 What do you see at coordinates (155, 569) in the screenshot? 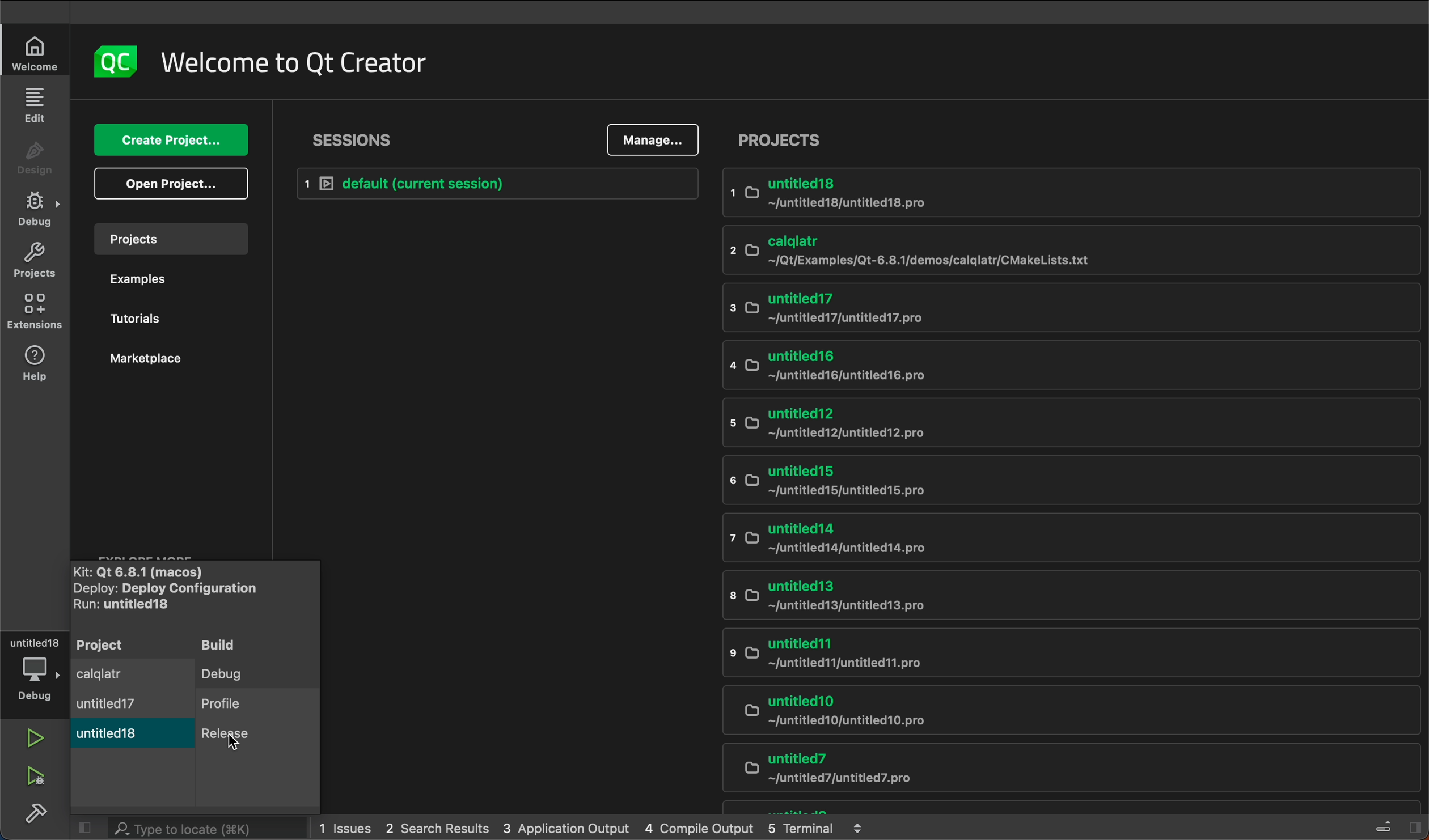
I see `kit name` at bounding box center [155, 569].